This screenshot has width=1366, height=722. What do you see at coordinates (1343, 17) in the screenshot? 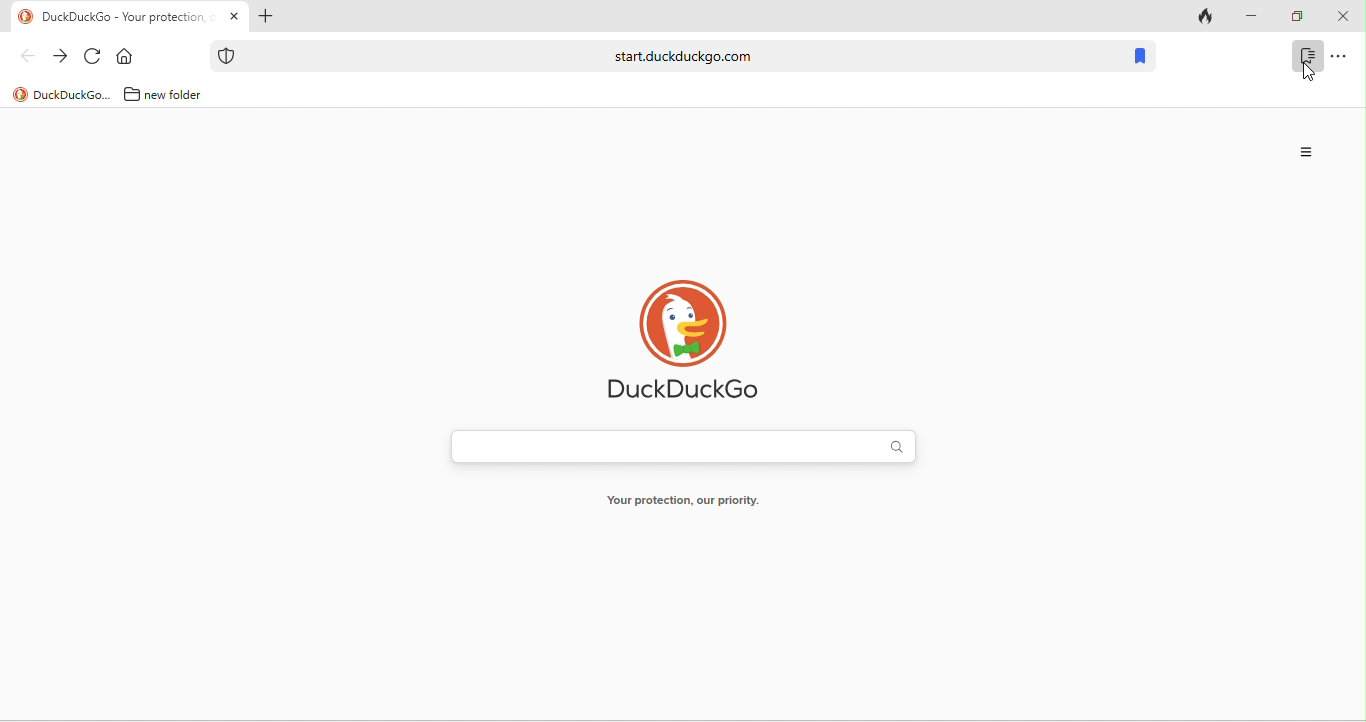
I see `close` at bounding box center [1343, 17].